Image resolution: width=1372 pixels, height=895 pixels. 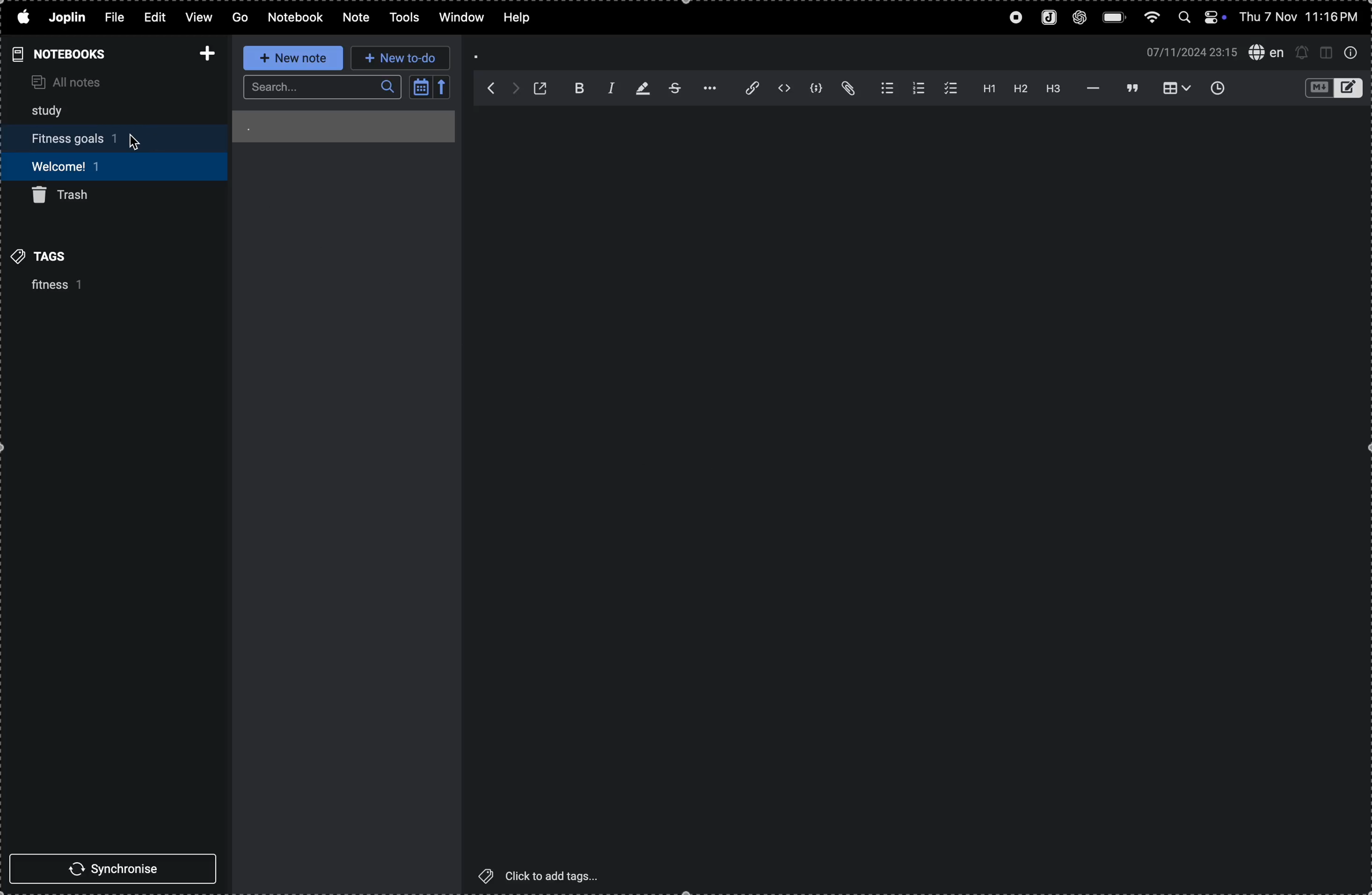 I want to click on inline, so click(x=782, y=89).